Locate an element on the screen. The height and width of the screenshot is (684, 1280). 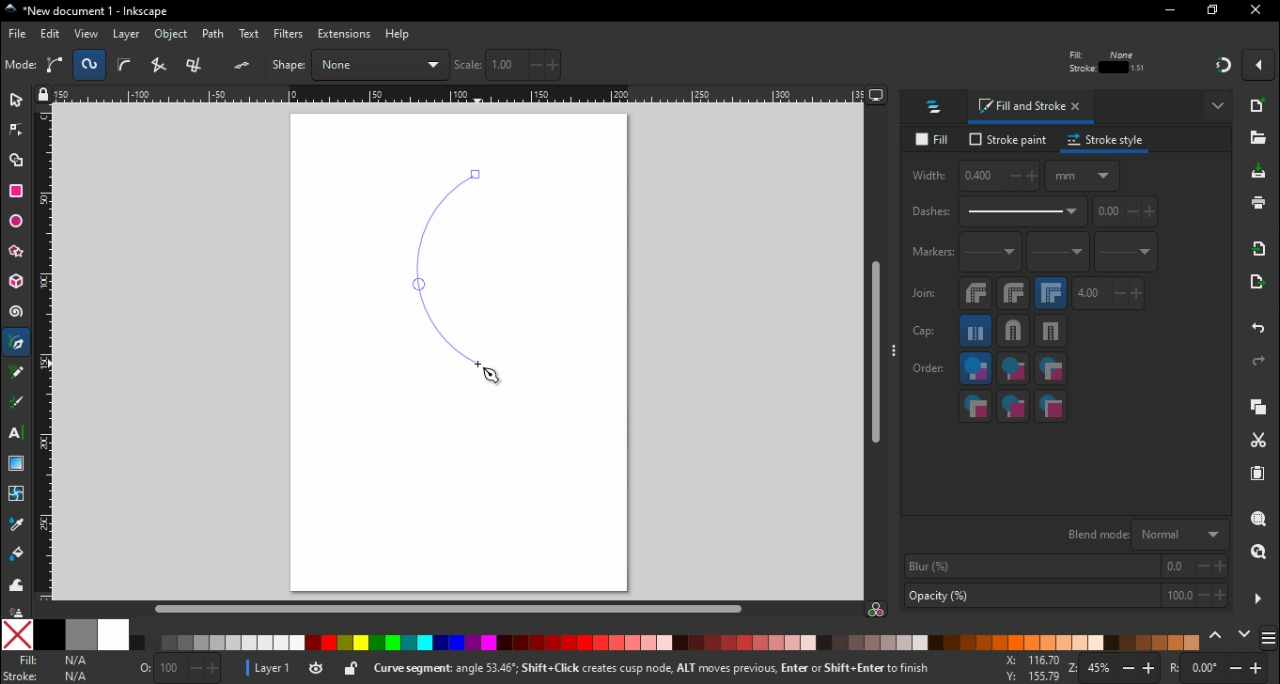
new is located at coordinates (1263, 110).